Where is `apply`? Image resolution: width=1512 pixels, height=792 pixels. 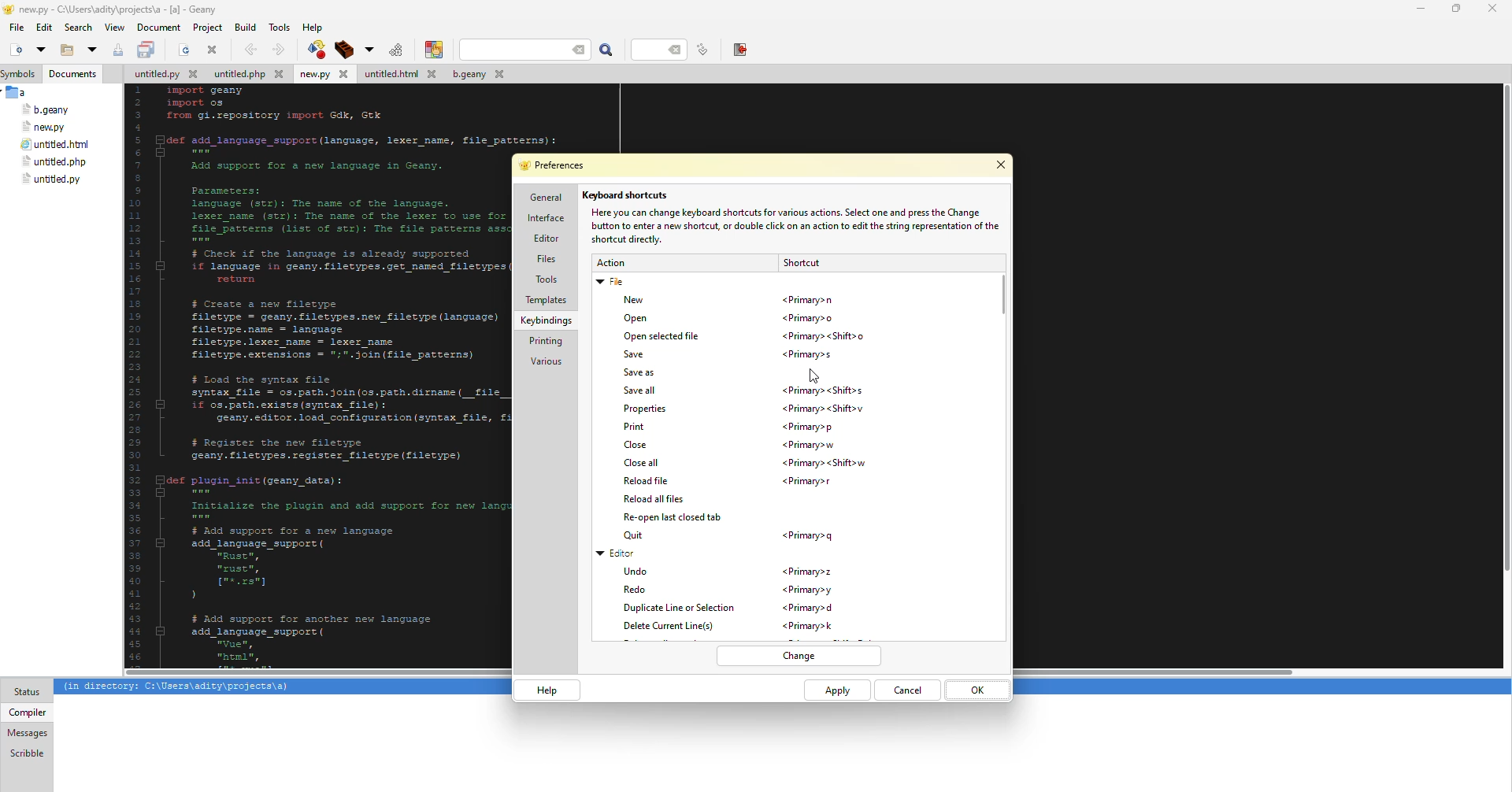
apply is located at coordinates (835, 691).